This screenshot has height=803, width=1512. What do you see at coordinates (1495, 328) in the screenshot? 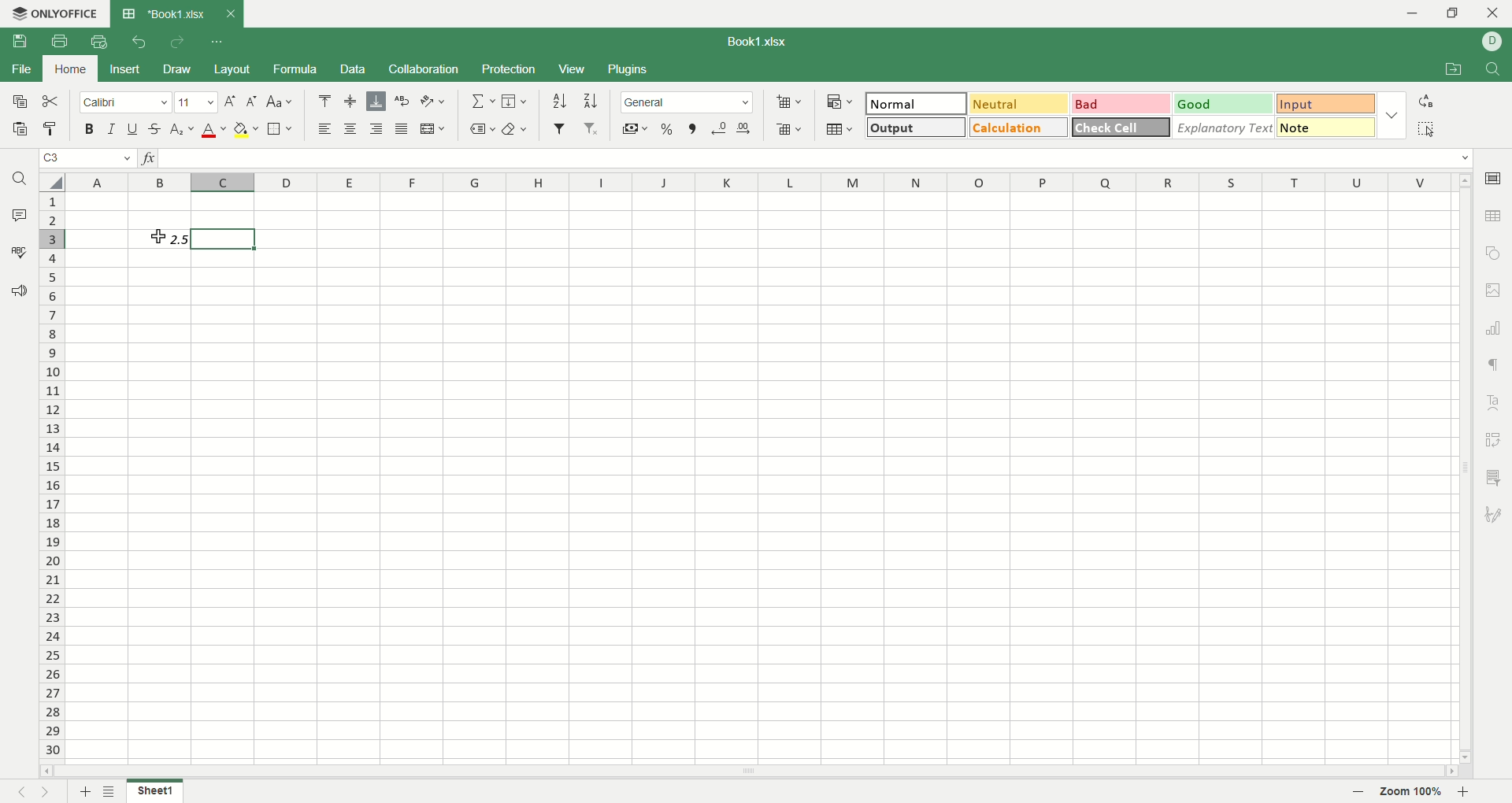
I see `chart settings` at bounding box center [1495, 328].